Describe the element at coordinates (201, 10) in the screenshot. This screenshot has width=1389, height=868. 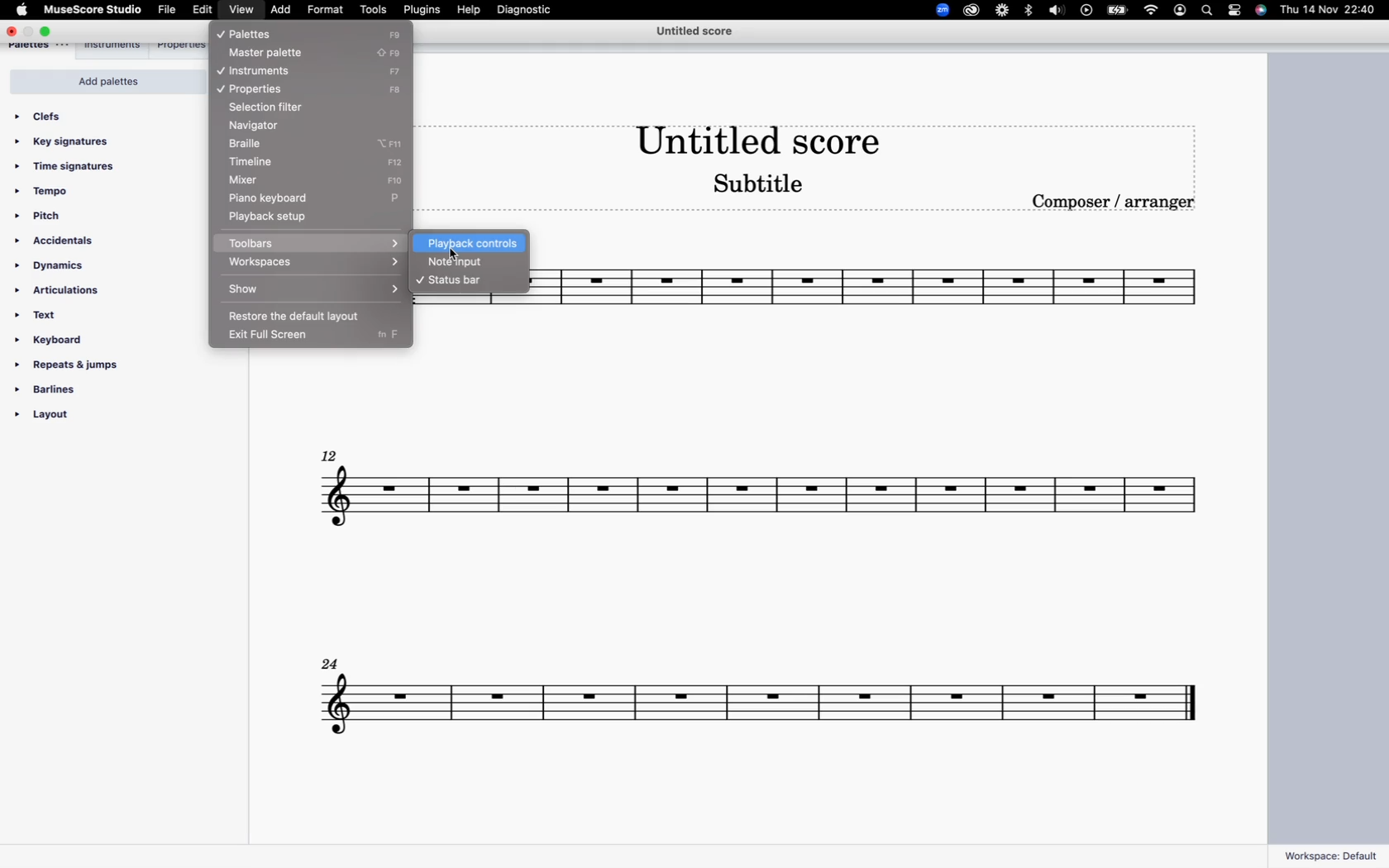
I see `edit` at that location.